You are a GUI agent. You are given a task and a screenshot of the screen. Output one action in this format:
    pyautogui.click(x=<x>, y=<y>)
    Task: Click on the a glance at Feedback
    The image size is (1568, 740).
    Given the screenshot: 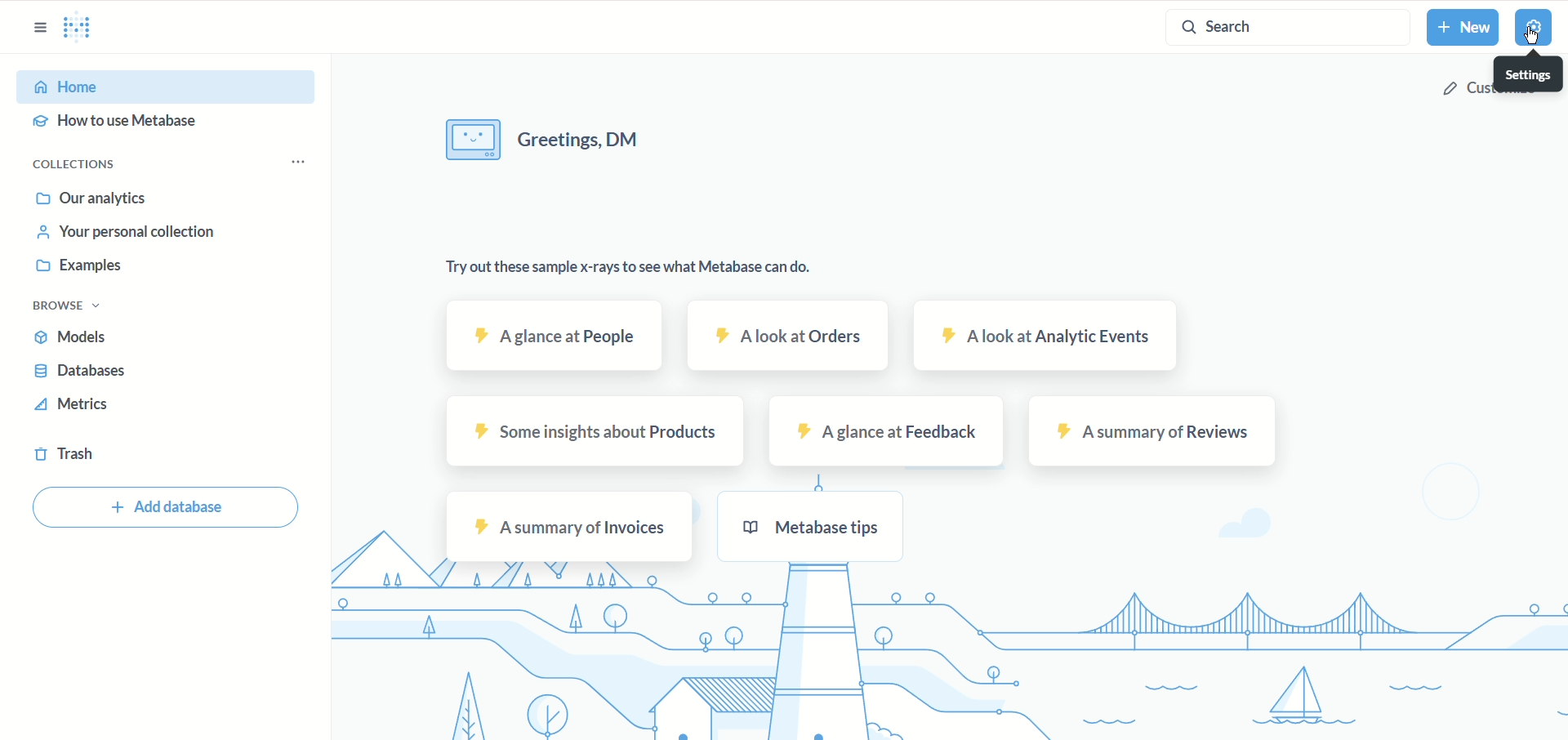 What is the action you would take?
    pyautogui.click(x=888, y=430)
    